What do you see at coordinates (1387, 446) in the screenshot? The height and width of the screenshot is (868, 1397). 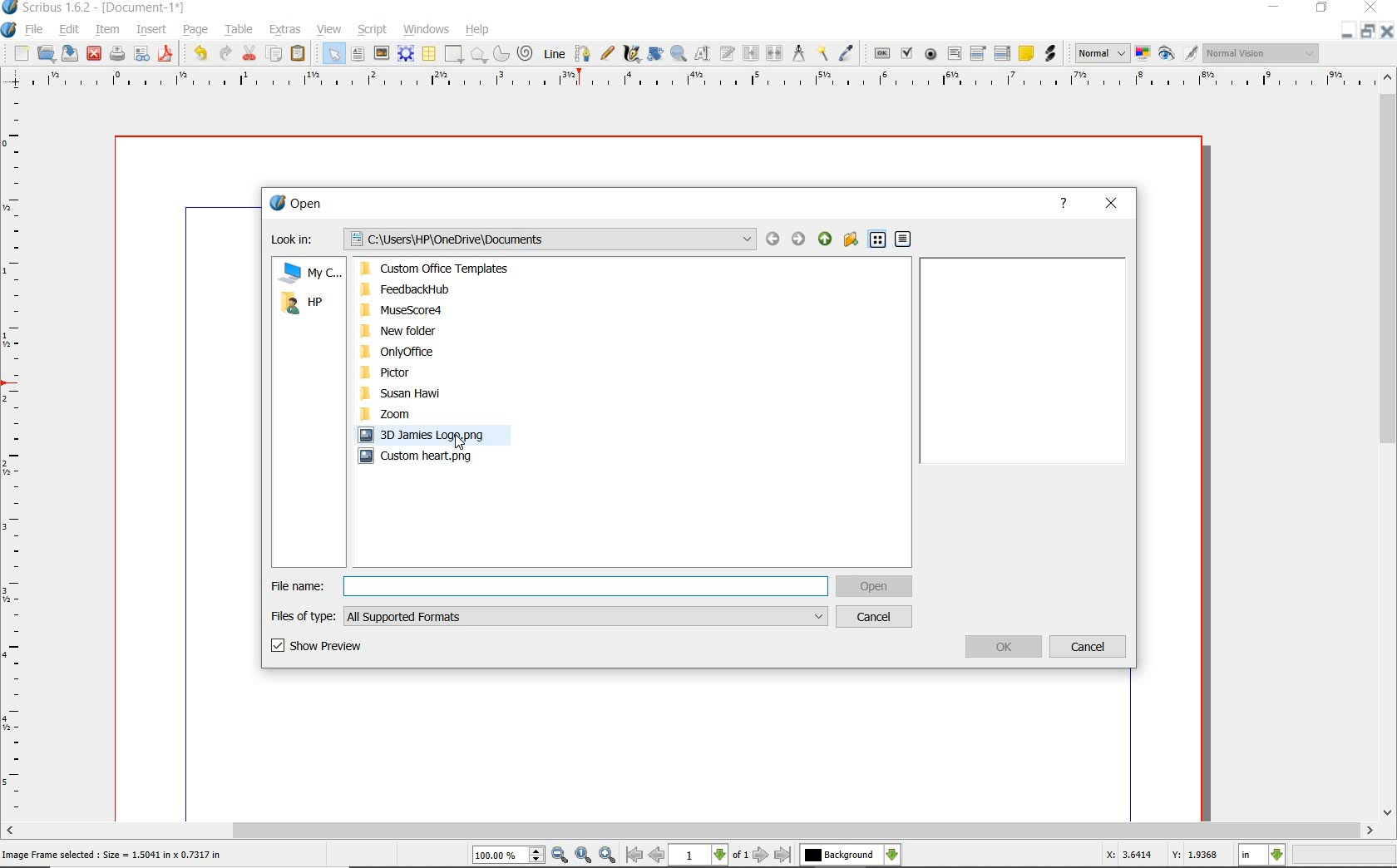 I see `scrollbar` at bounding box center [1387, 446].